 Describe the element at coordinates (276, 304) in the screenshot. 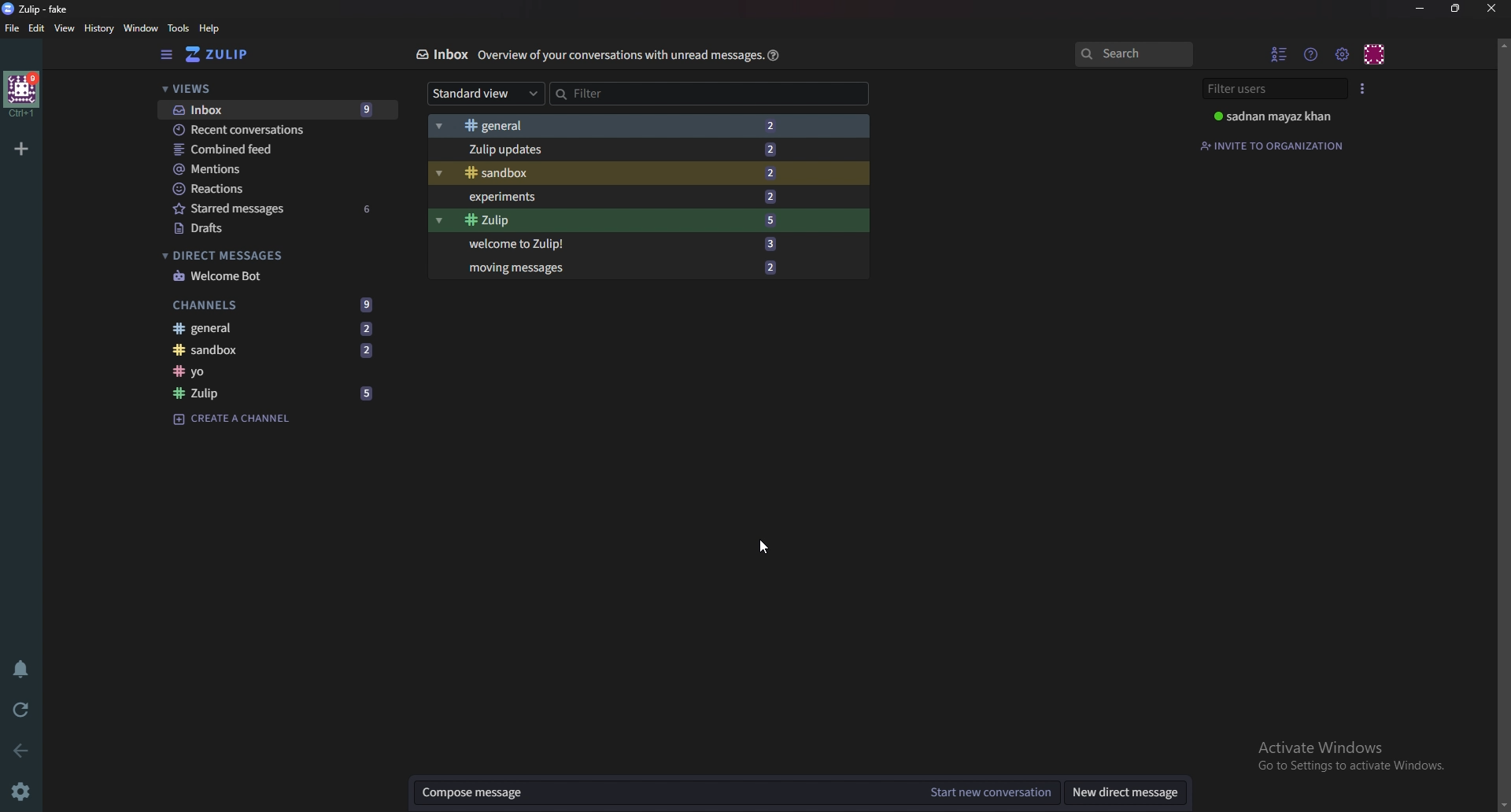

I see `Channels` at that location.